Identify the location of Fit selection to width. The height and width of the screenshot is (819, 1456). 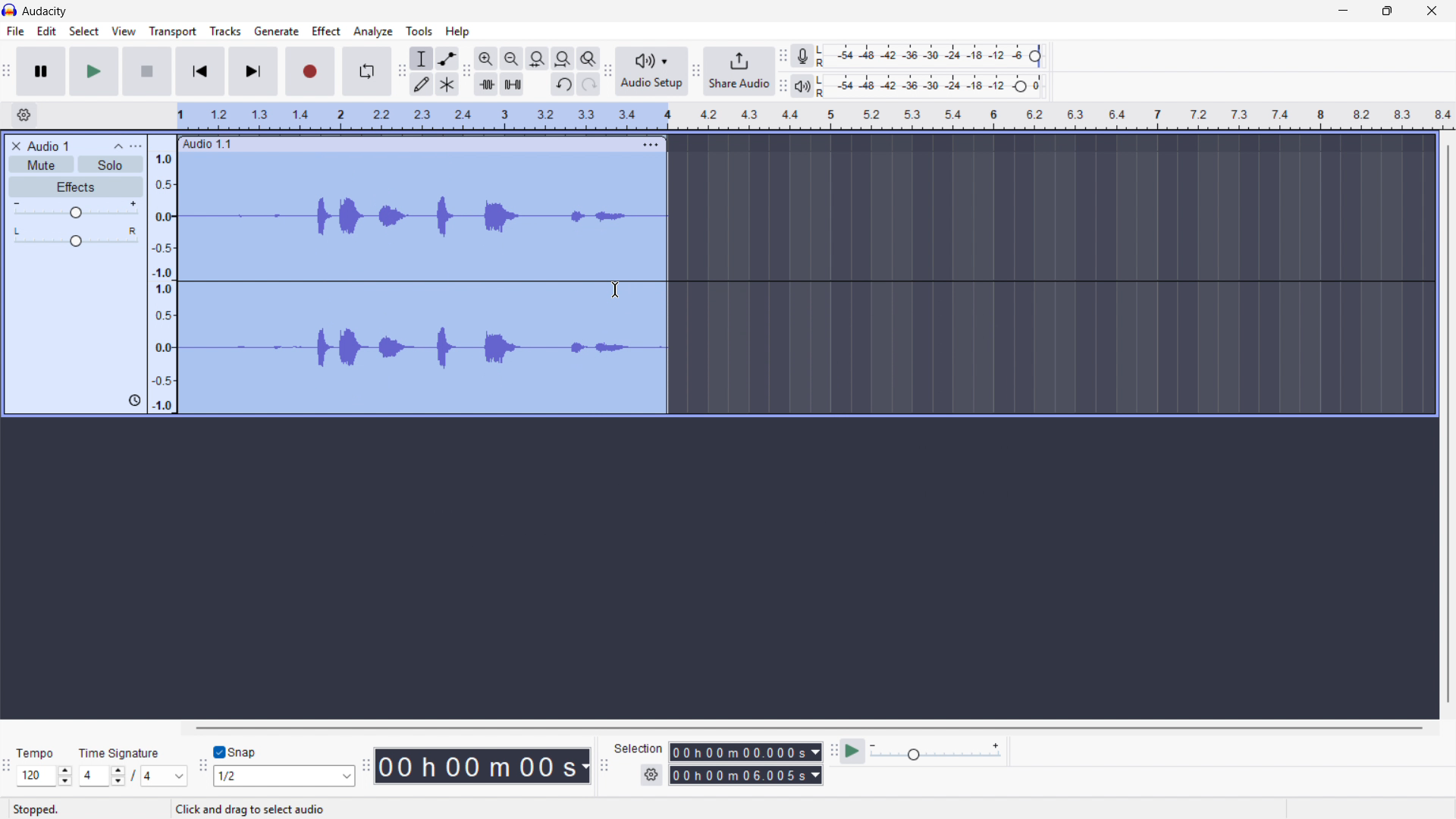
(538, 58).